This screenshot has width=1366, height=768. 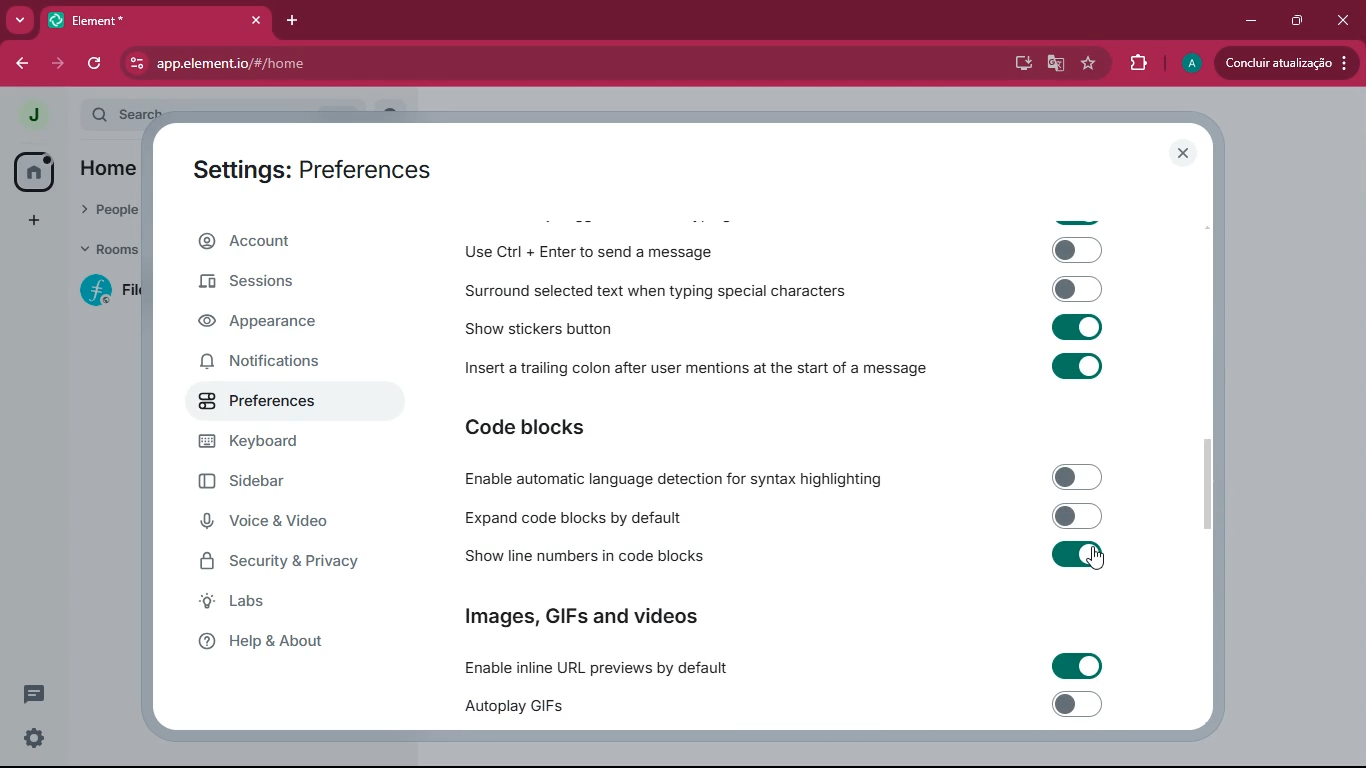 I want to click on profile, so click(x=1189, y=64).